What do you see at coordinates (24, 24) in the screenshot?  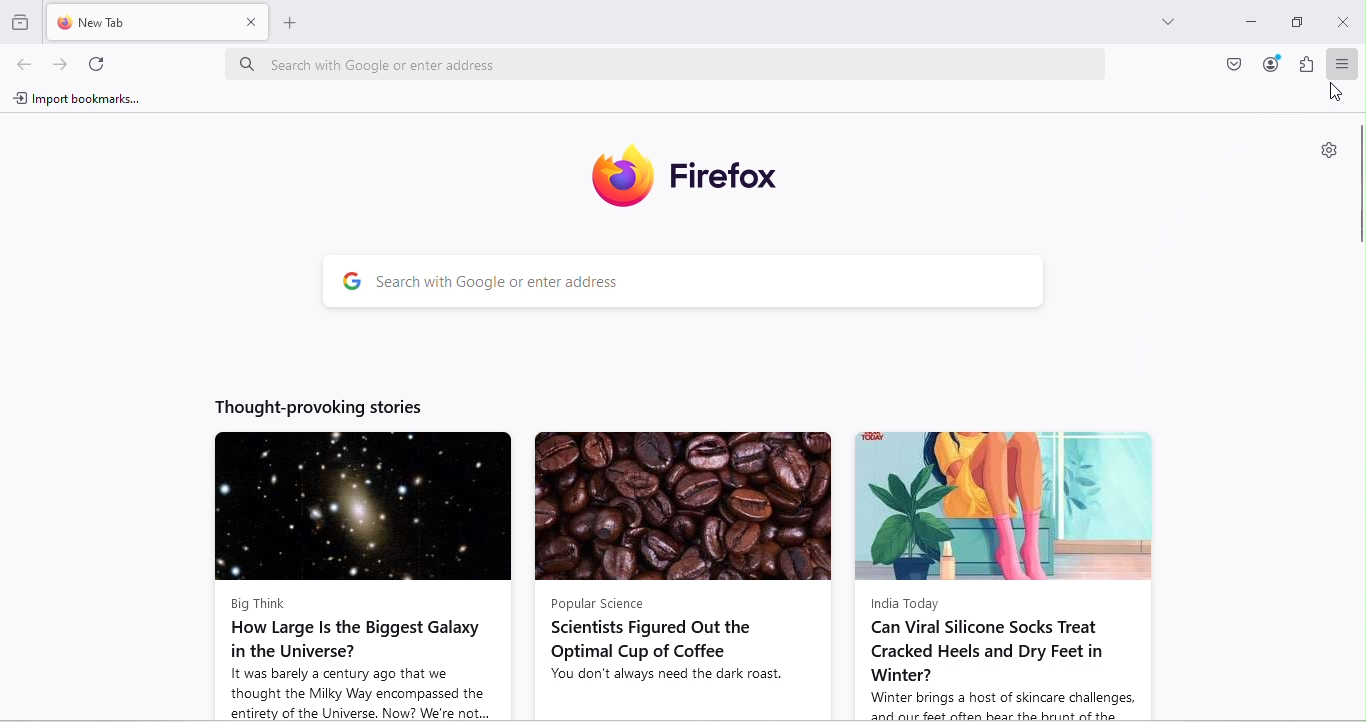 I see `Browse recent tabs across windows and devices` at bounding box center [24, 24].